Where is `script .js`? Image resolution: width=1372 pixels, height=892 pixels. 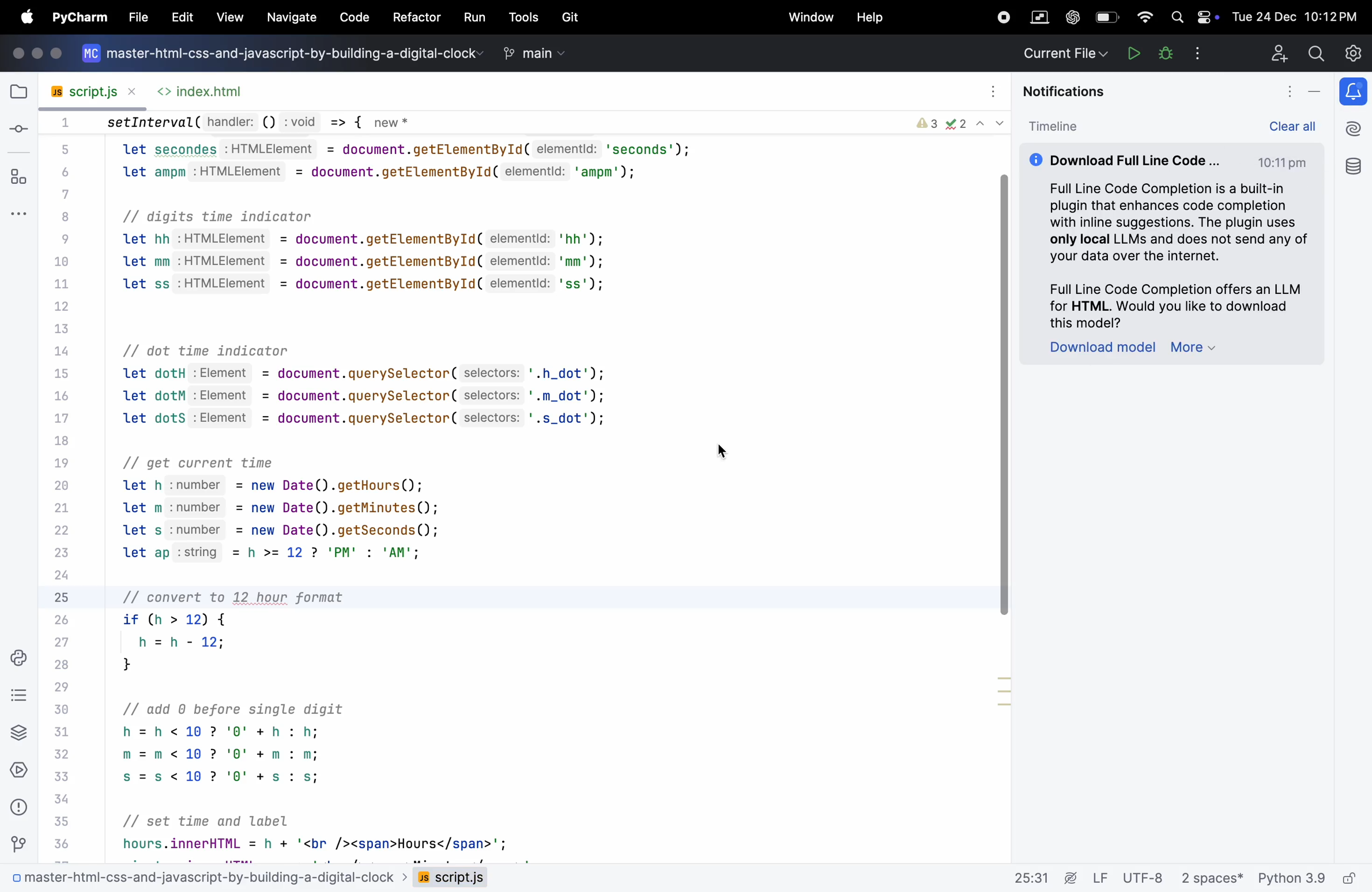
script .js is located at coordinates (455, 880).